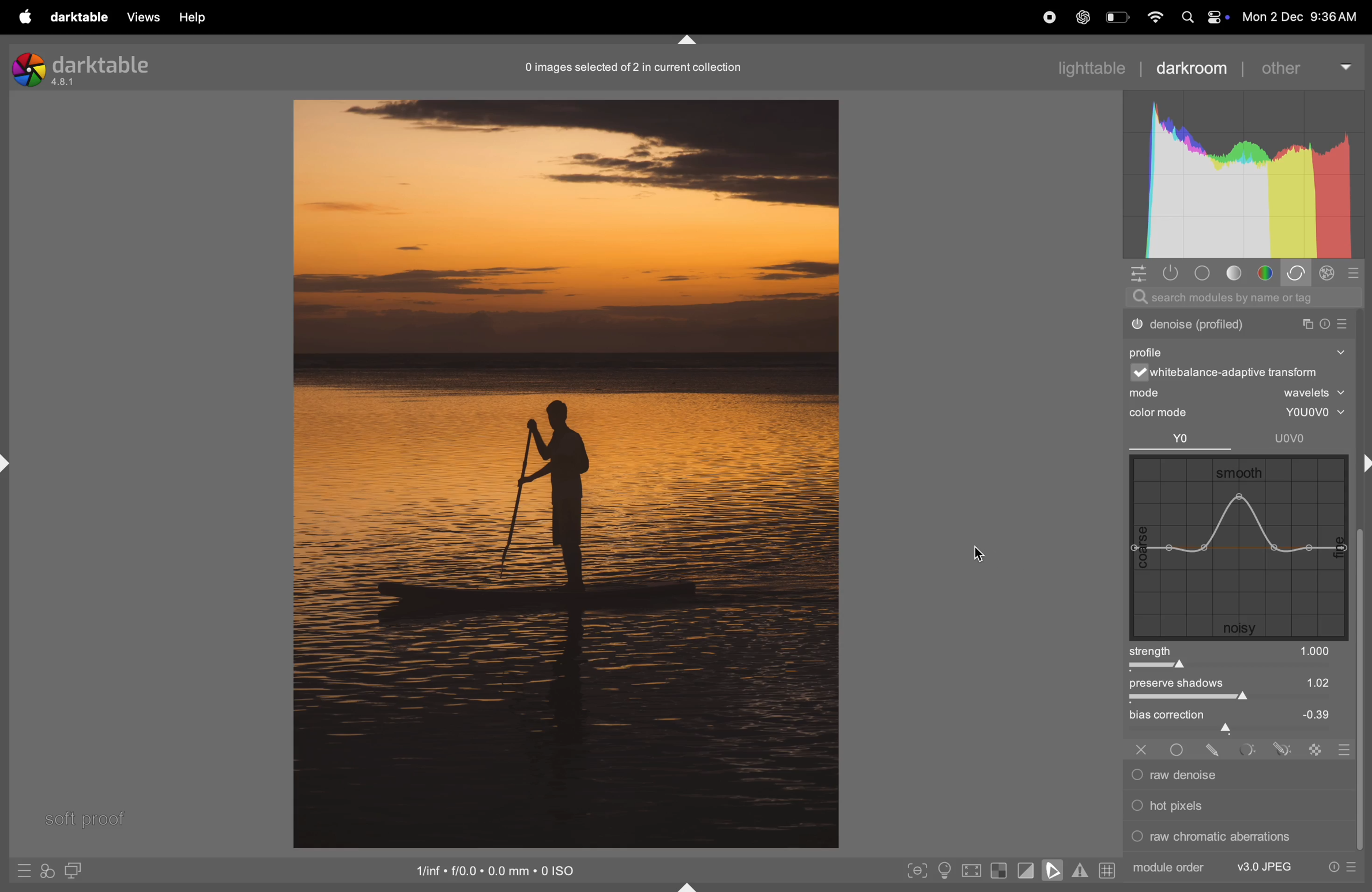  I want to click on help, so click(195, 17).